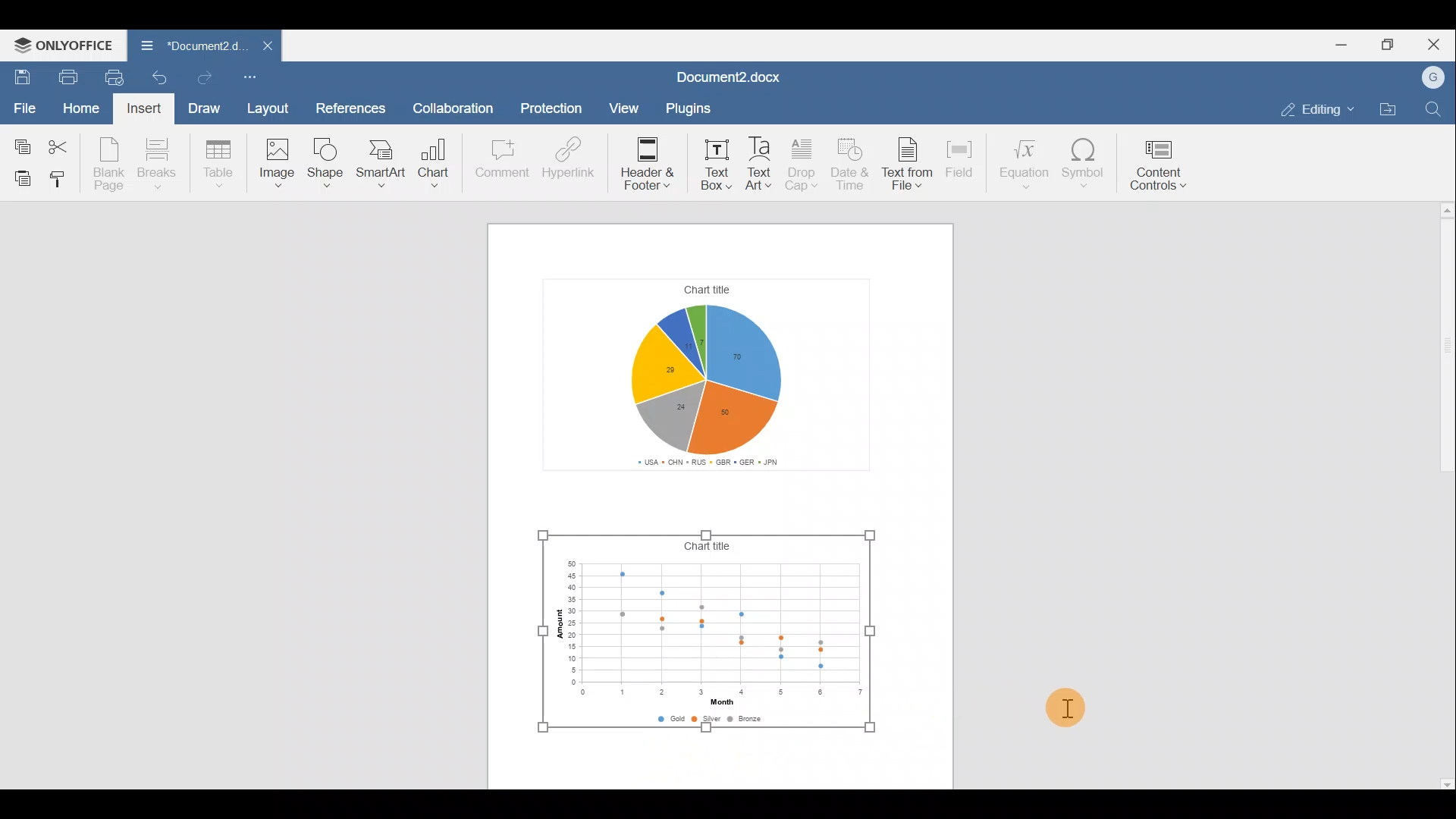 The width and height of the screenshot is (1456, 819). Describe the element at coordinates (499, 161) in the screenshot. I see `Comment` at that location.